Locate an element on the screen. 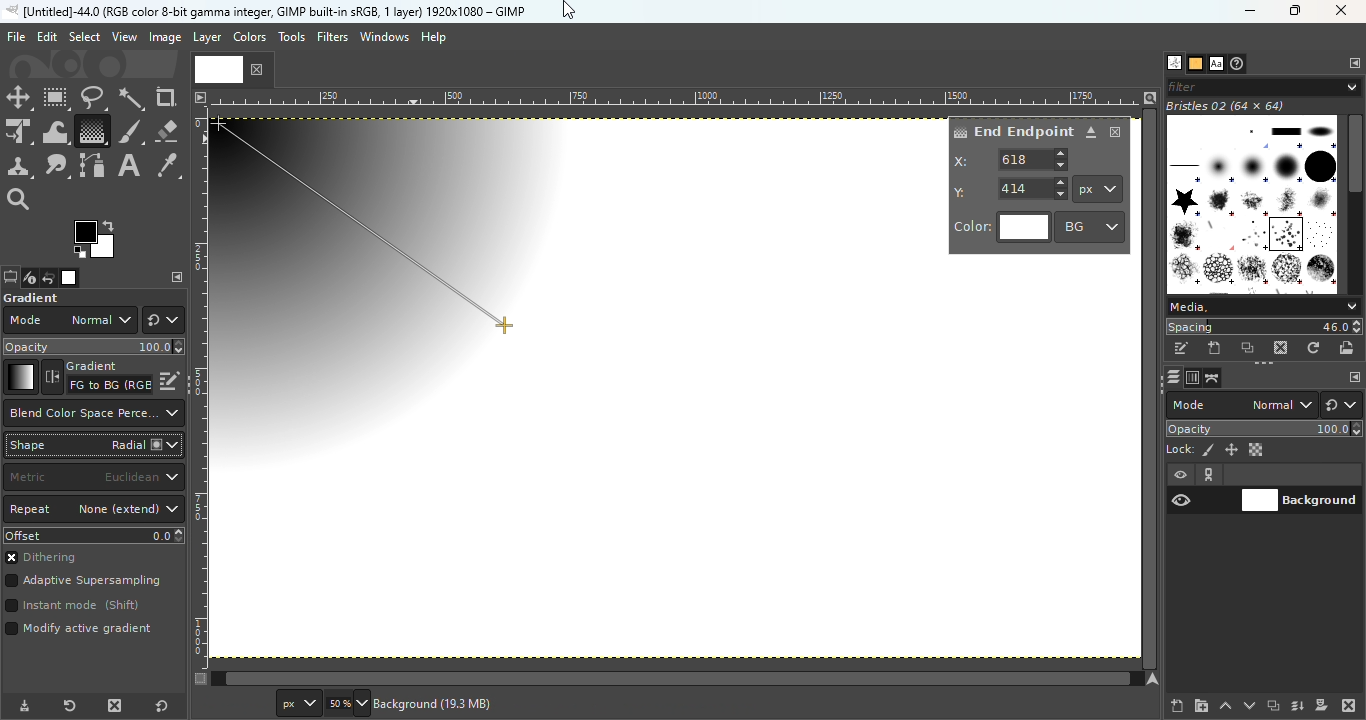 The image size is (1366, 720). Filter is located at coordinates (1264, 86).